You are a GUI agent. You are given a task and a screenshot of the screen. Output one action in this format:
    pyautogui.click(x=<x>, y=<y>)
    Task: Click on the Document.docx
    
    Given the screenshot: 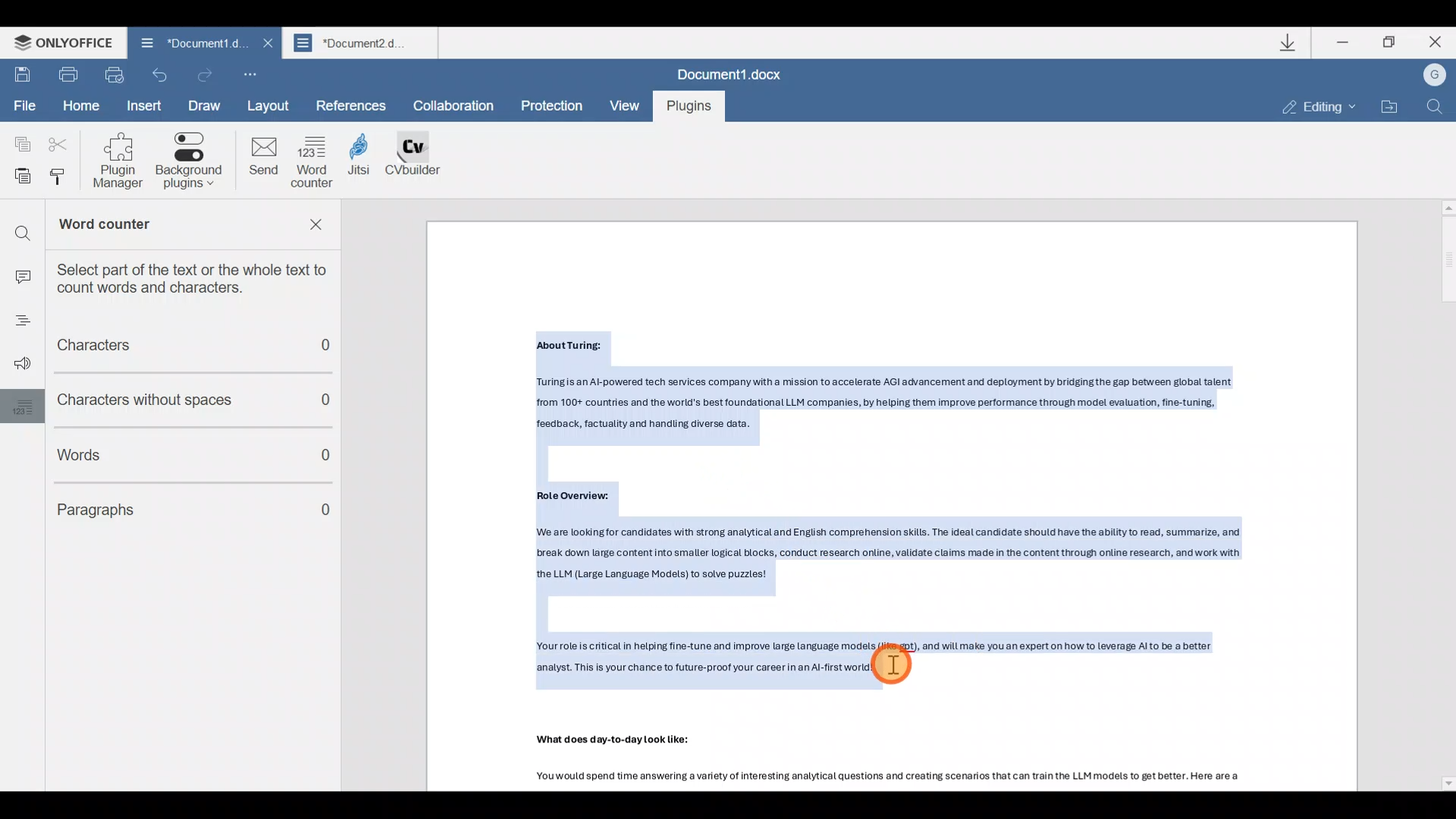 What is the action you would take?
    pyautogui.click(x=731, y=73)
    